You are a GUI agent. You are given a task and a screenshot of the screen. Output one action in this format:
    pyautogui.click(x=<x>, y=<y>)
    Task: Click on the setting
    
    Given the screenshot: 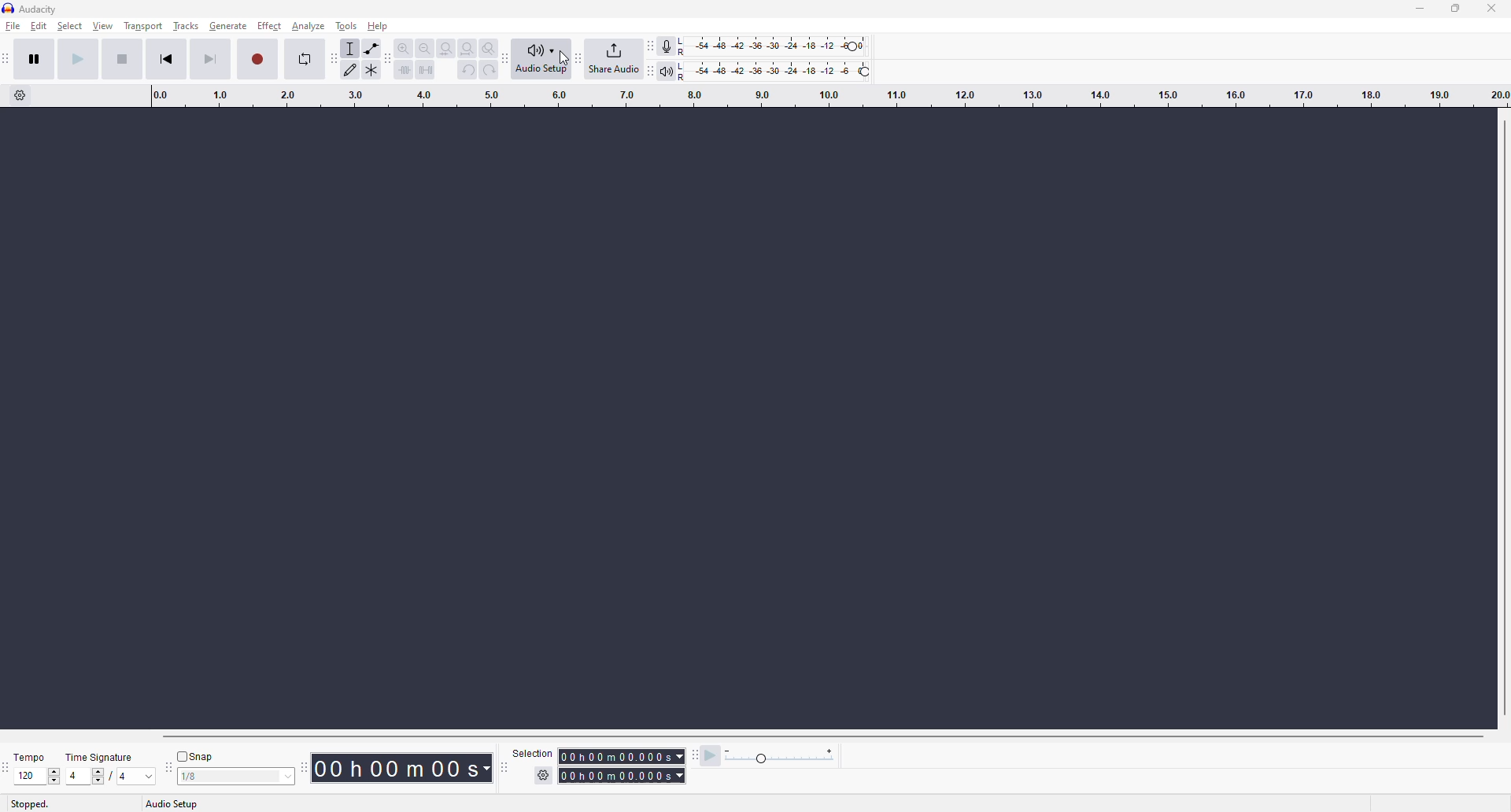 What is the action you would take?
    pyautogui.click(x=401, y=68)
    